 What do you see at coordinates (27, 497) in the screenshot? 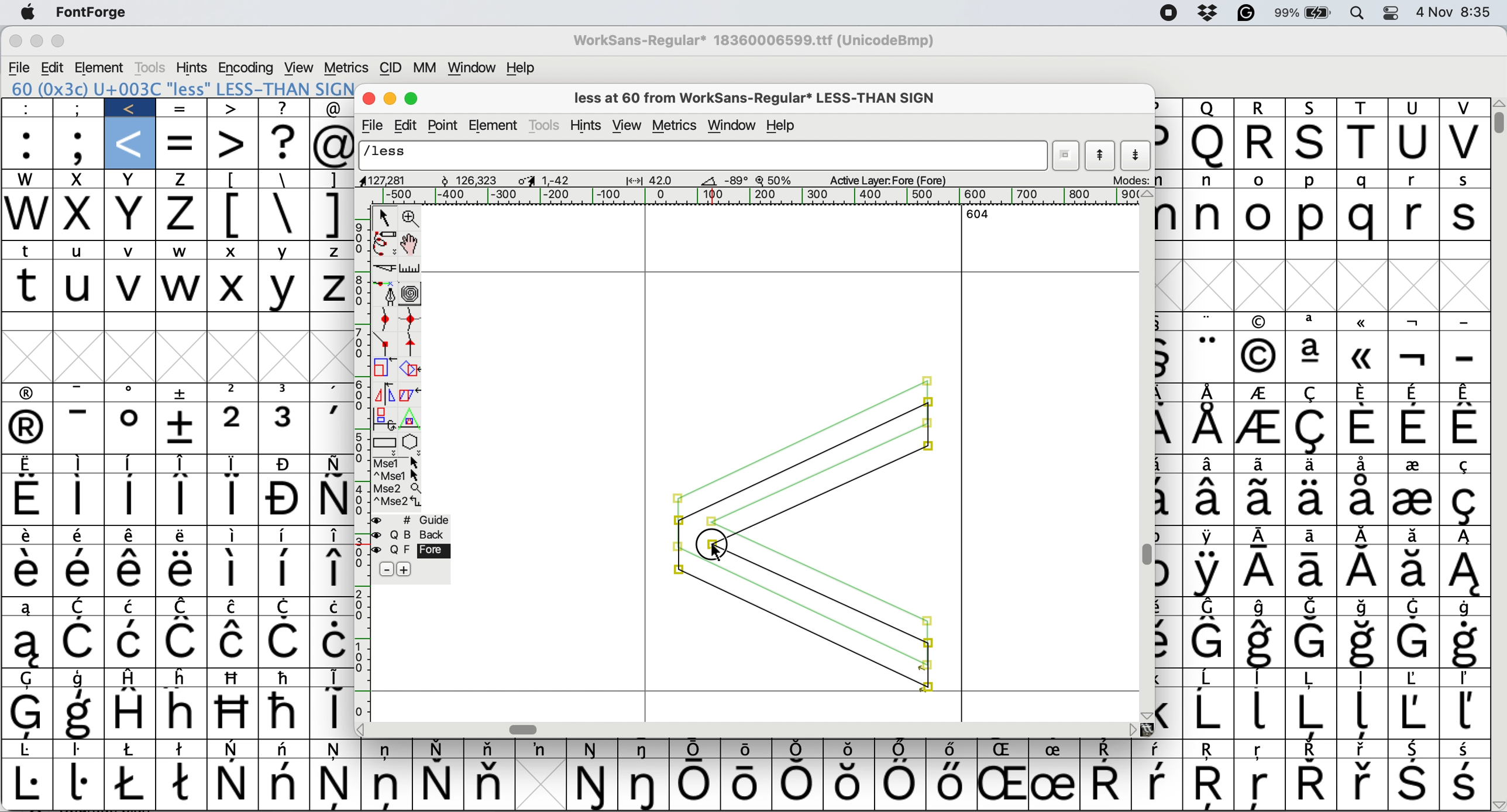
I see `Symbol` at bounding box center [27, 497].